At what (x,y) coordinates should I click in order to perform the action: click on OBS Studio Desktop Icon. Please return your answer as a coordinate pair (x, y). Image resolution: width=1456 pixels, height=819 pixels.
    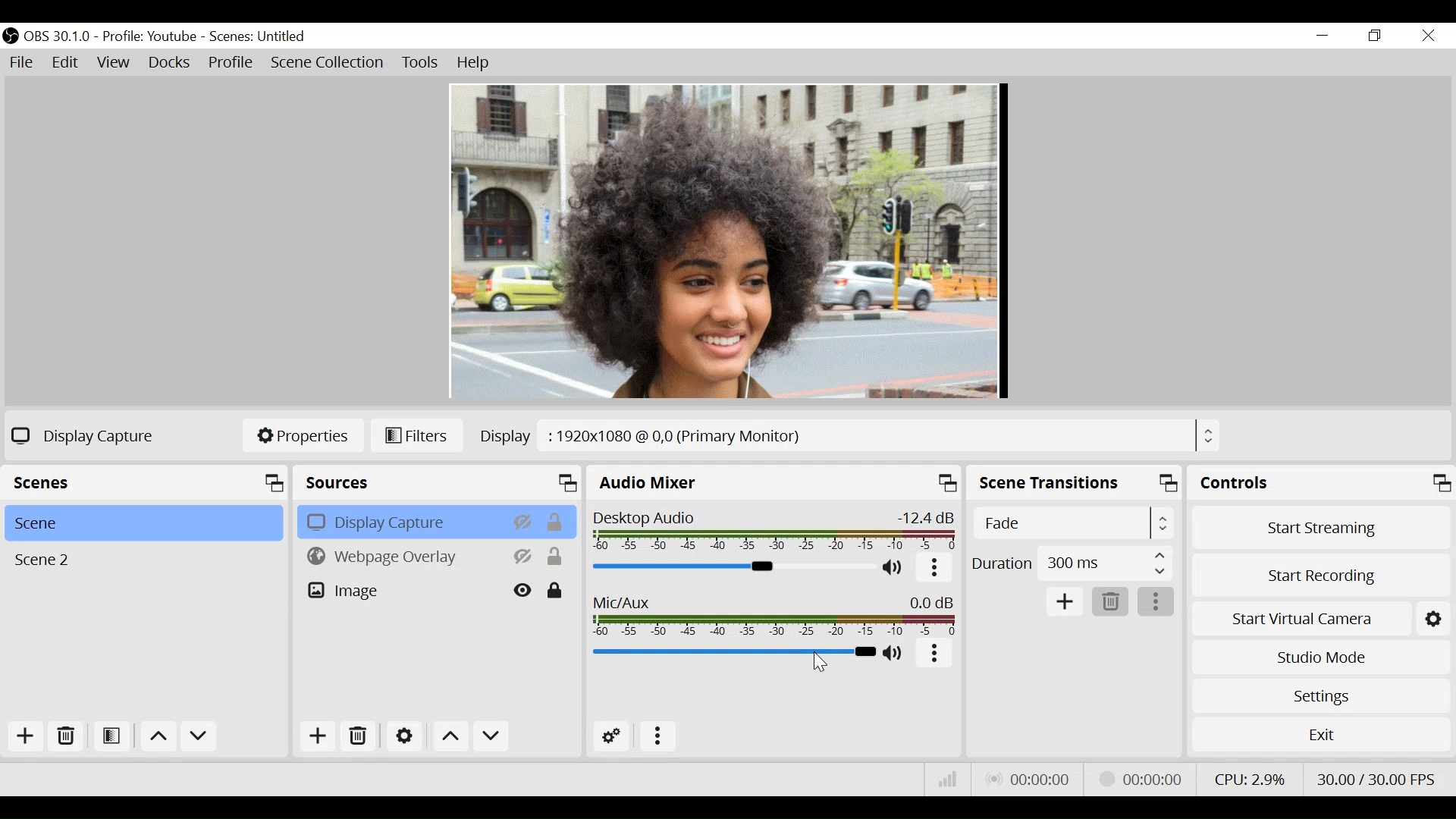
    Looking at the image, I should click on (10, 36).